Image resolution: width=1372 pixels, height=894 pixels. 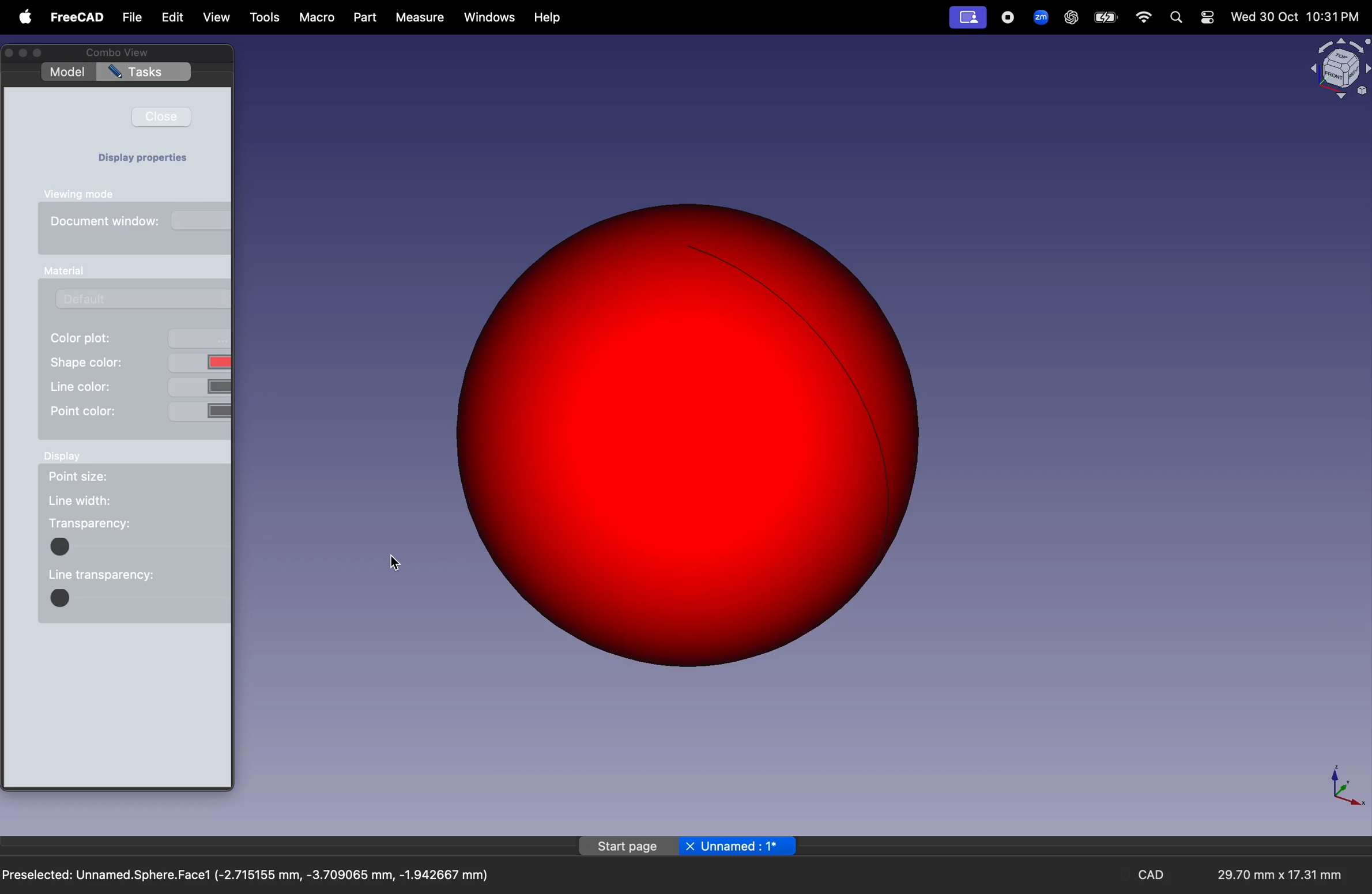 What do you see at coordinates (138, 599) in the screenshot?
I see `code` at bounding box center [138, 599].